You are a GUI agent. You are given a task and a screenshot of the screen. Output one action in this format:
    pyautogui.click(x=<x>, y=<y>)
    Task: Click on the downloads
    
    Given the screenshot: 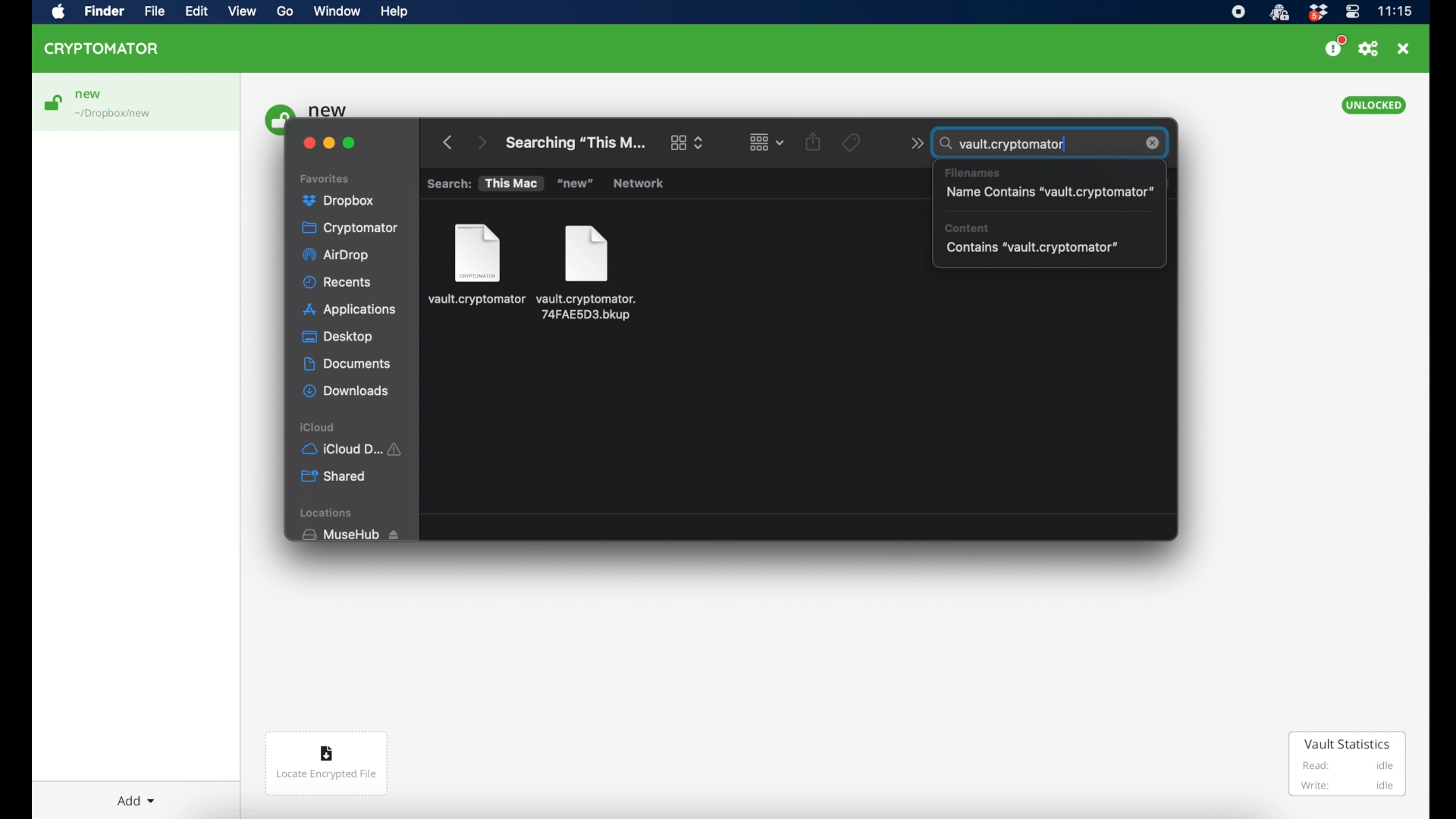 What is the action you would take?
    pyautogui.click(x=346, y=391)
    